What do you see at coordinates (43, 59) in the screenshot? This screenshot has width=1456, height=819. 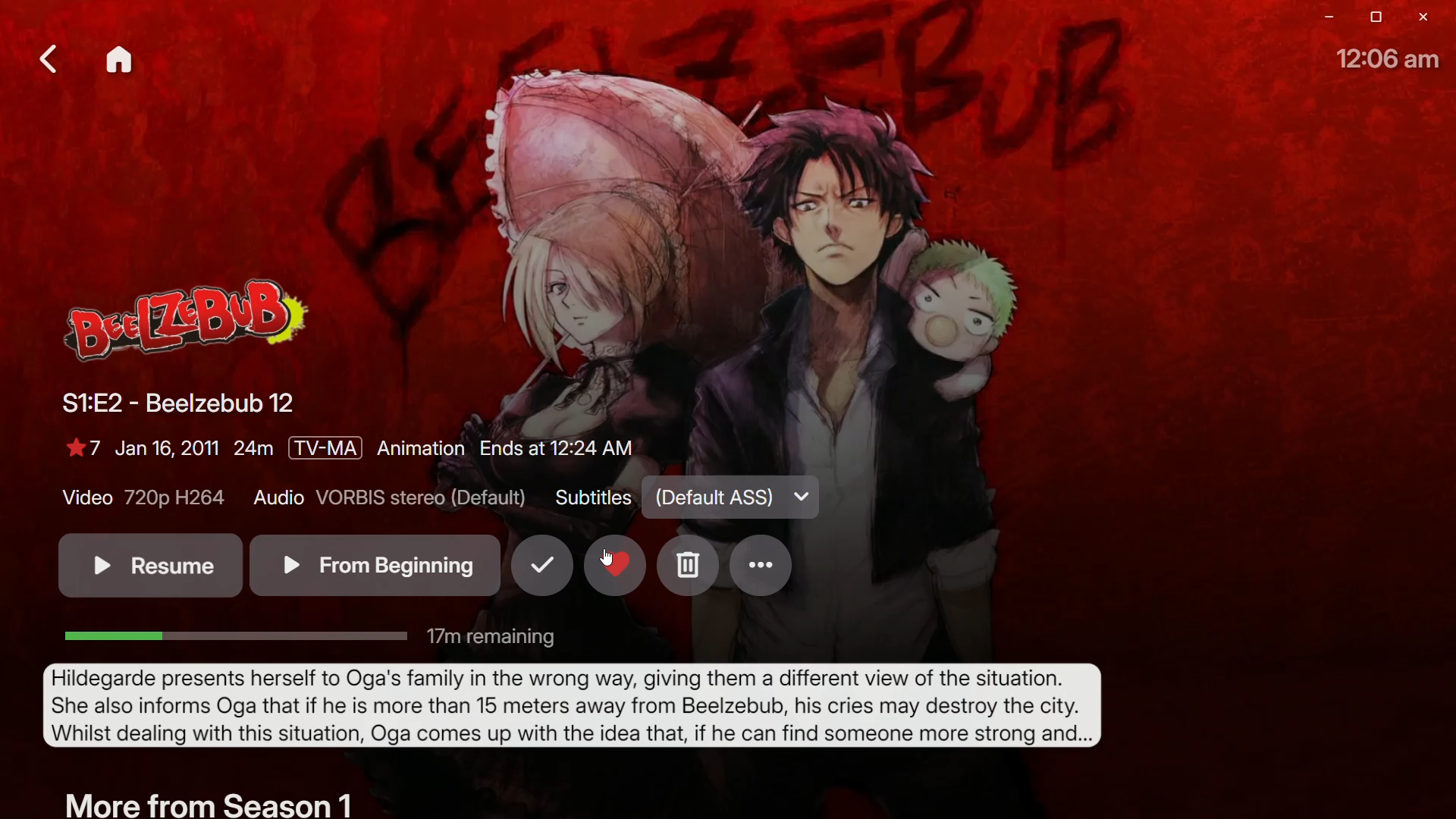 I see `Back` at bounding box center [43, 59].